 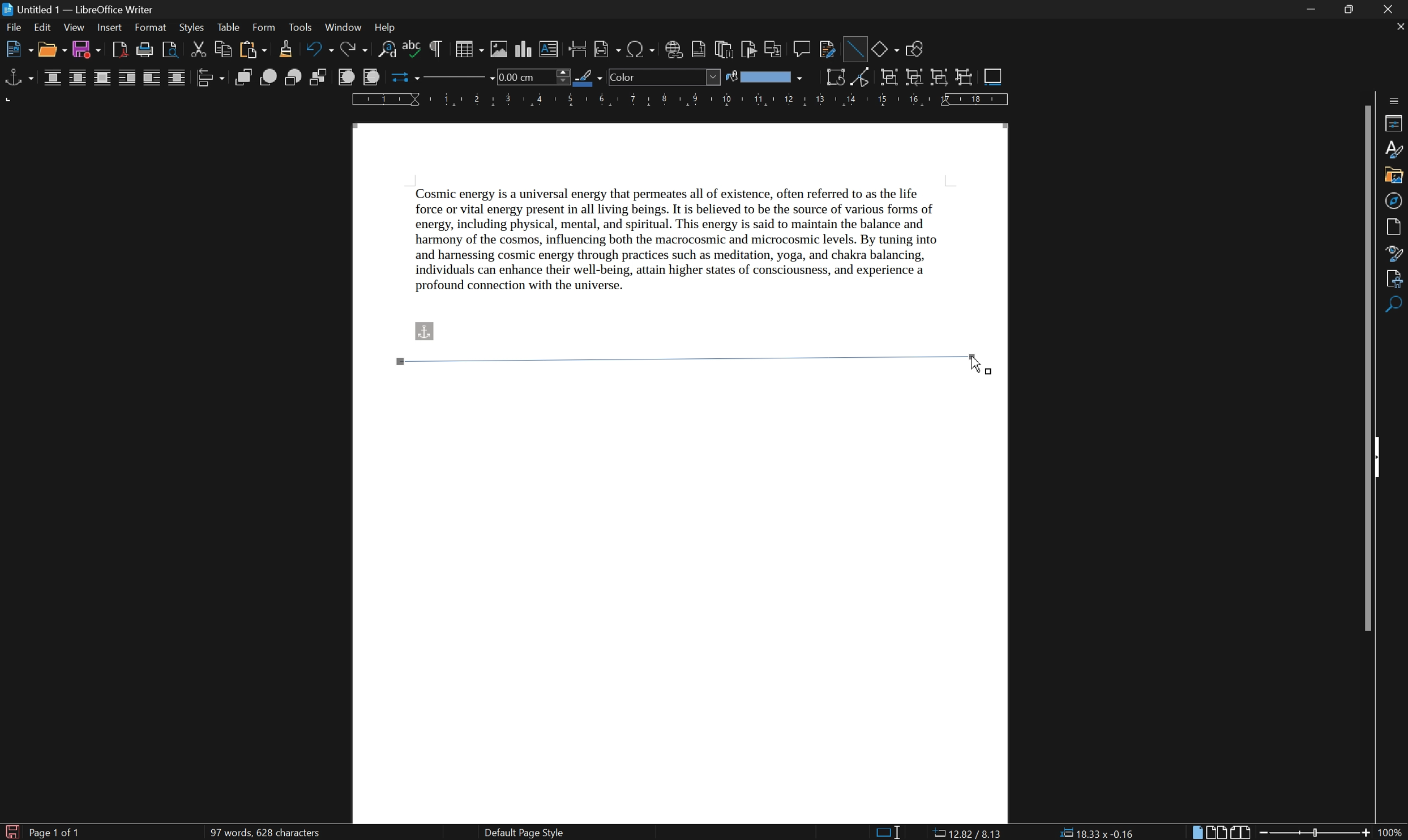 I want to click on export directly as PDF, so click(x=118, y=50).